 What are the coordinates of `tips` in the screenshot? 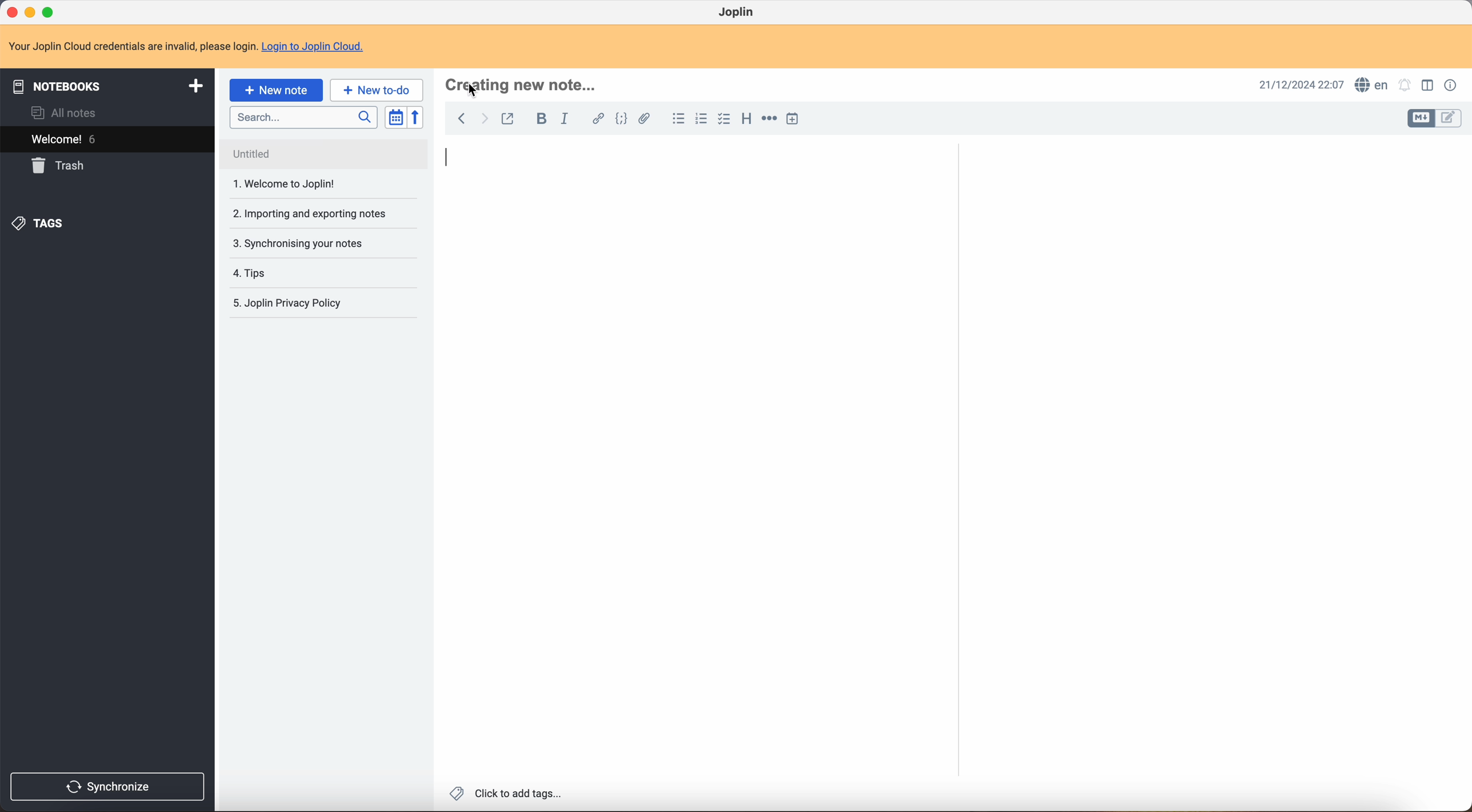 It's located at (294, 245).